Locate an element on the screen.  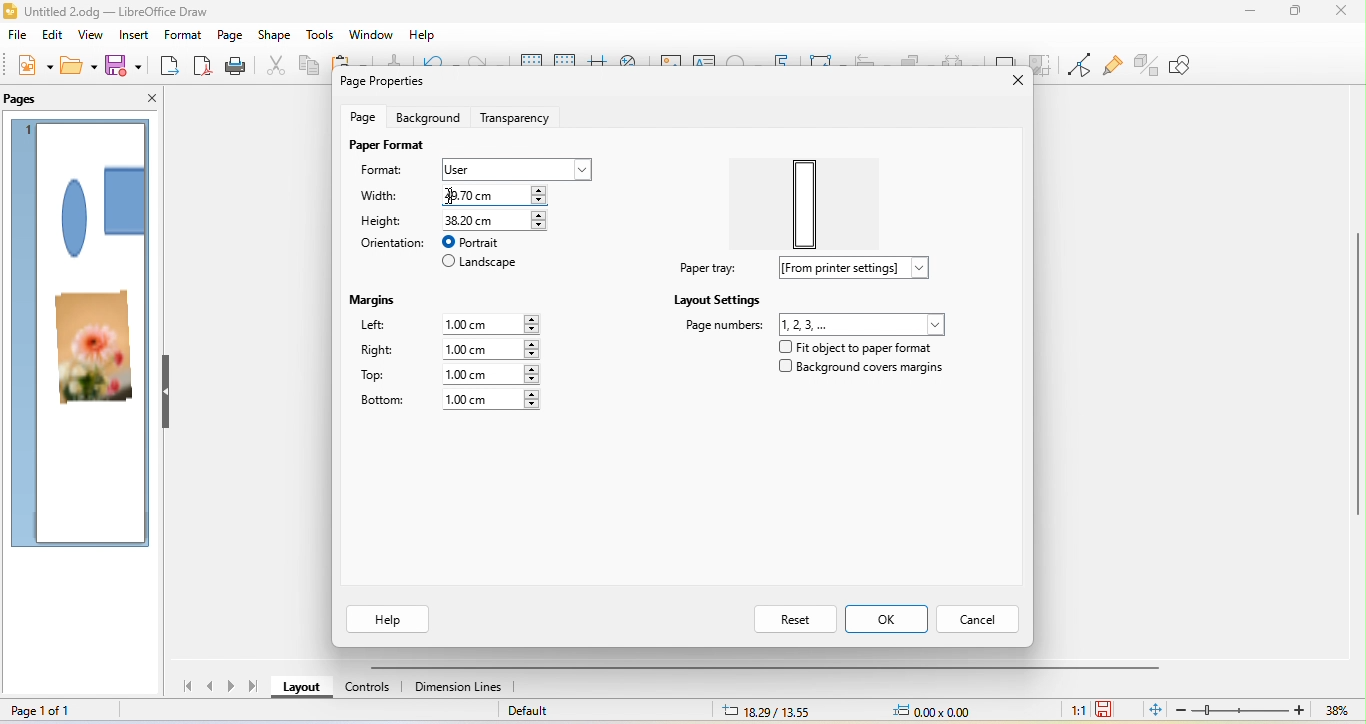
special character is located at coordinates (745, 61).